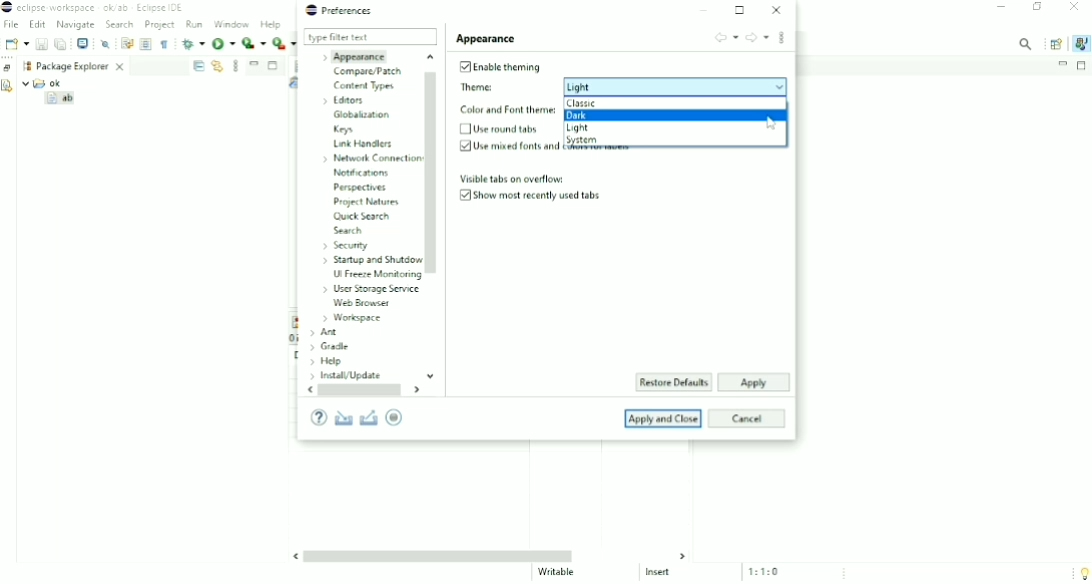 The image size is (1092, 584). What do you see at coordinates (106, 43) in the screenshot?
I see `Skip All Breakpoints` at bounding box center [106, 43].